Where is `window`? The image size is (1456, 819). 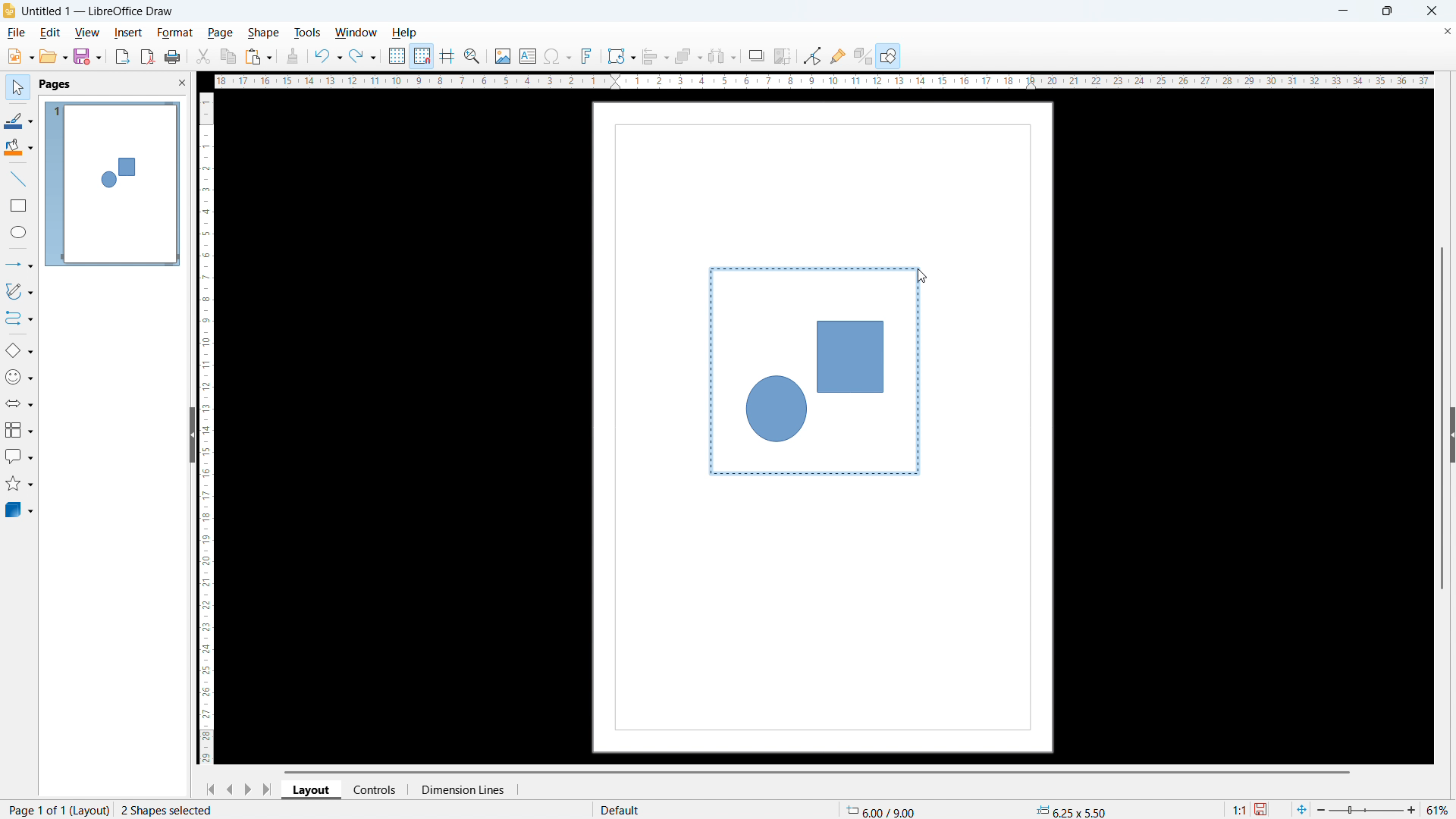 window is located at coordinates (356, 33).